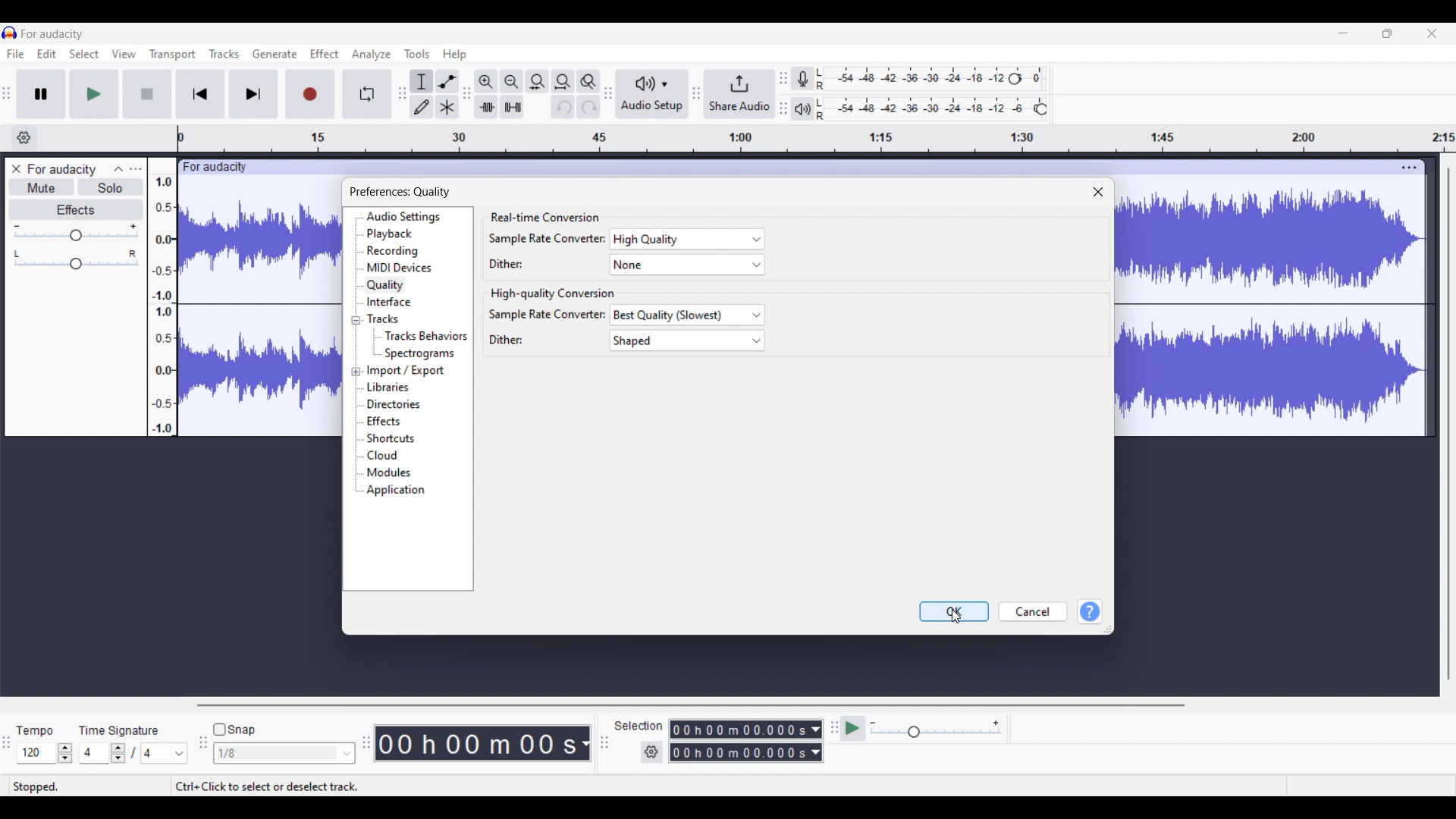 This screenshot has height=819, width=1456. I want to click on Zoom out, so click(512, 82).